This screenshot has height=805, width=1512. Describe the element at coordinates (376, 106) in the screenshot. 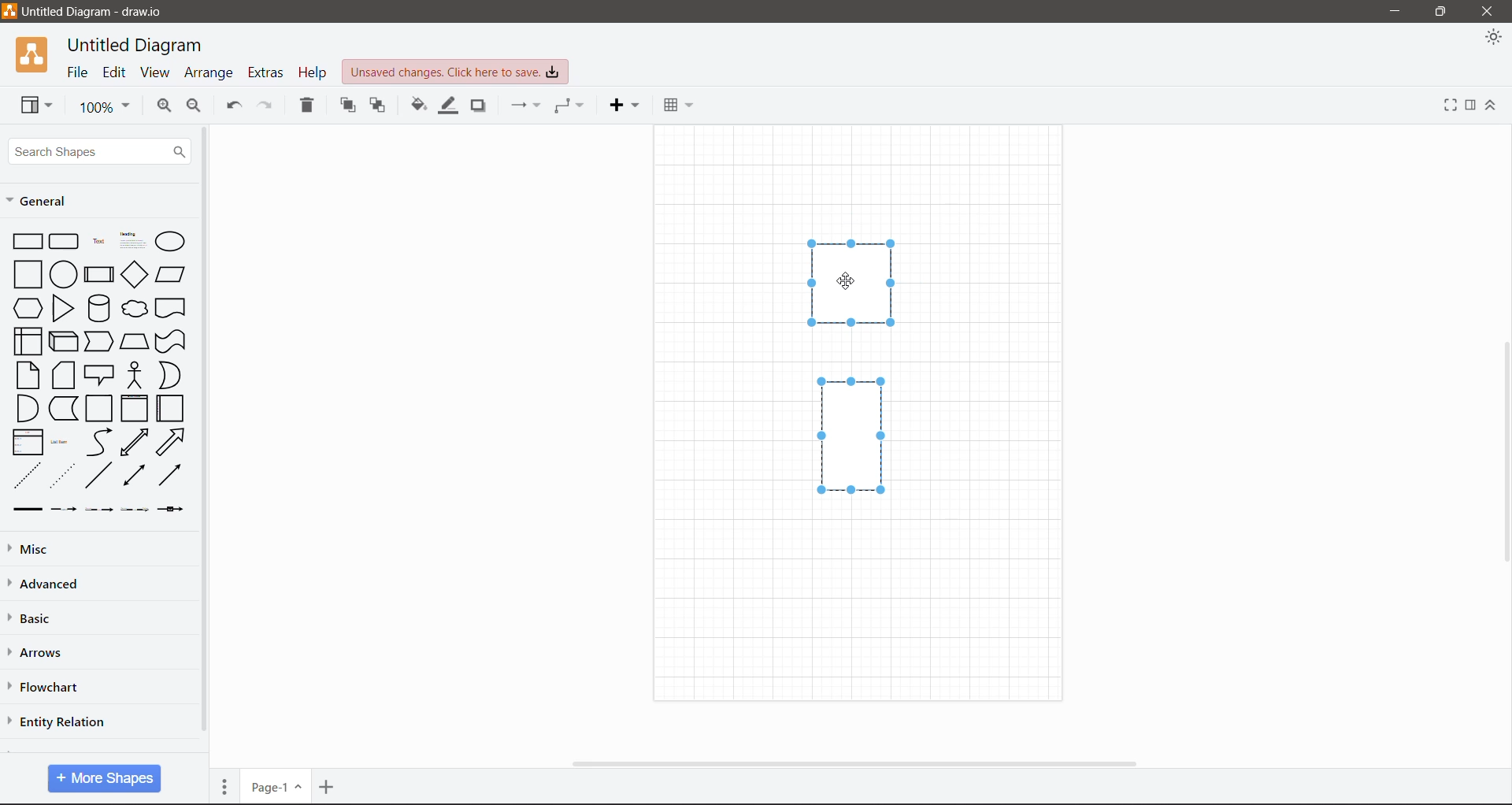

I see `To Back` at that location.